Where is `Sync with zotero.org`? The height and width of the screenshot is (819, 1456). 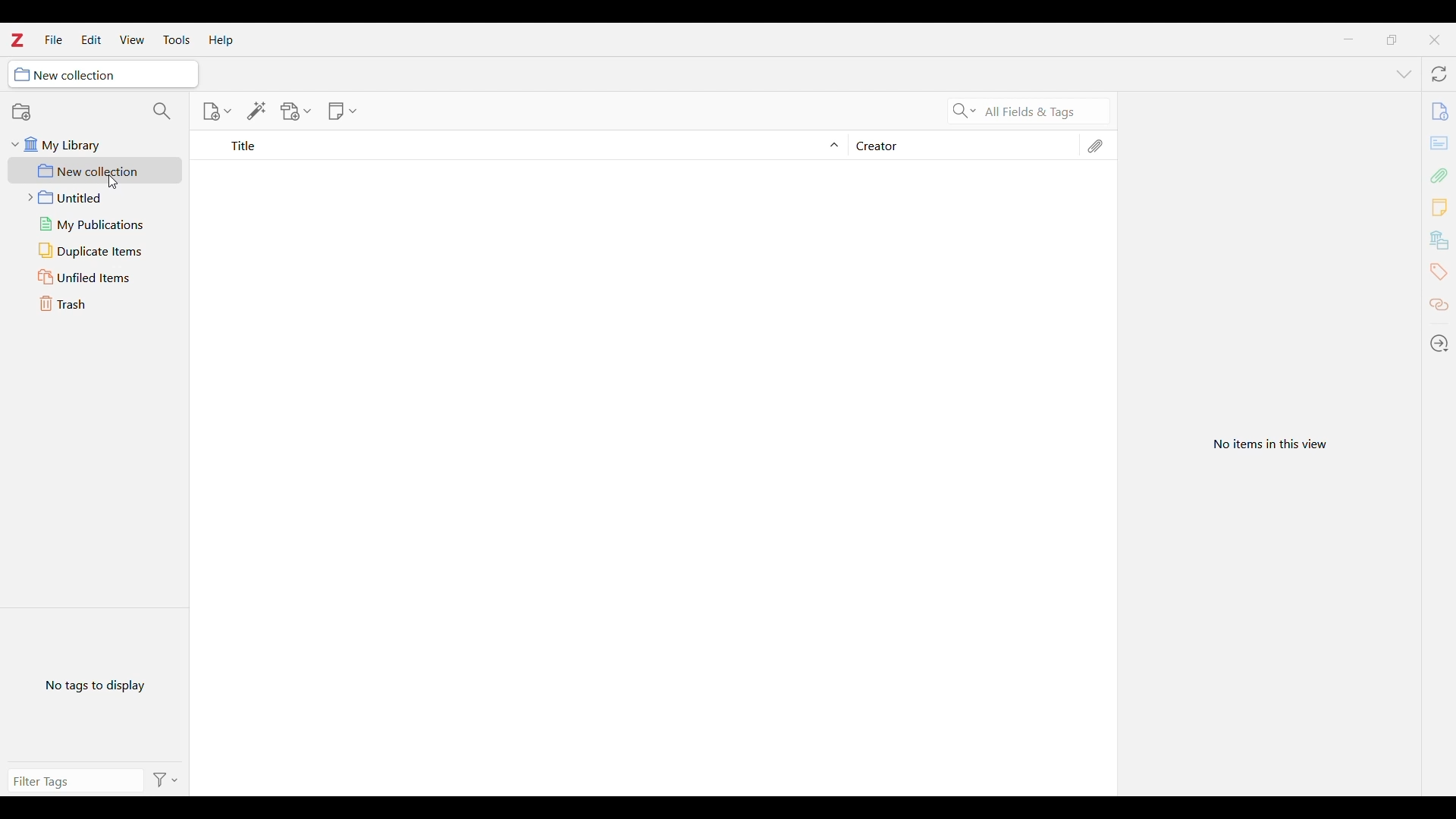
Sync with zotero.org is located at coordinates (1439, 74).